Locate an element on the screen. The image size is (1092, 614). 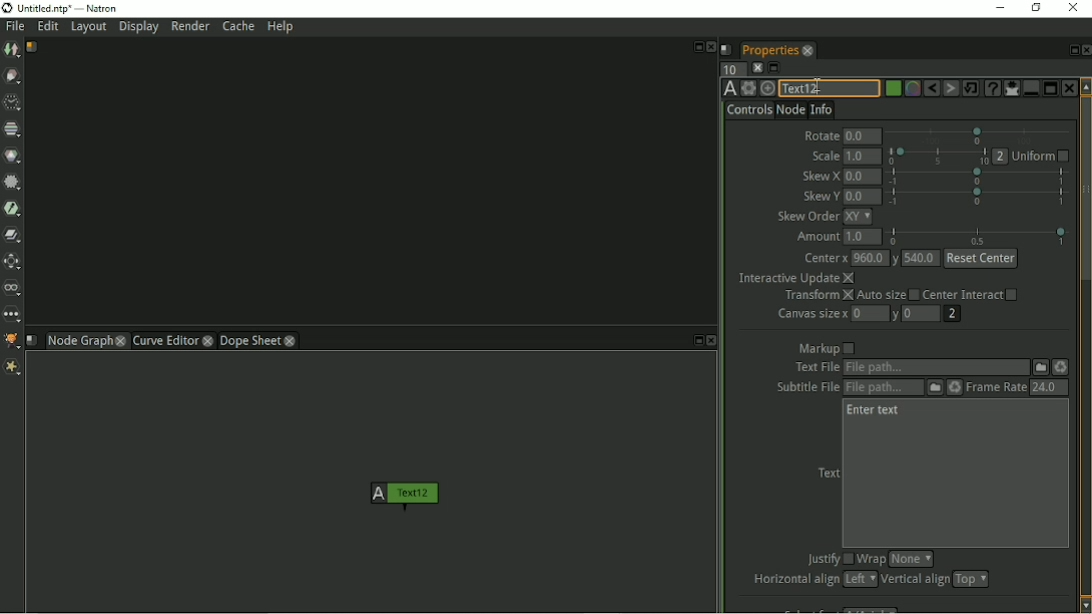
Maximize is located at coordinates (1050, 87).